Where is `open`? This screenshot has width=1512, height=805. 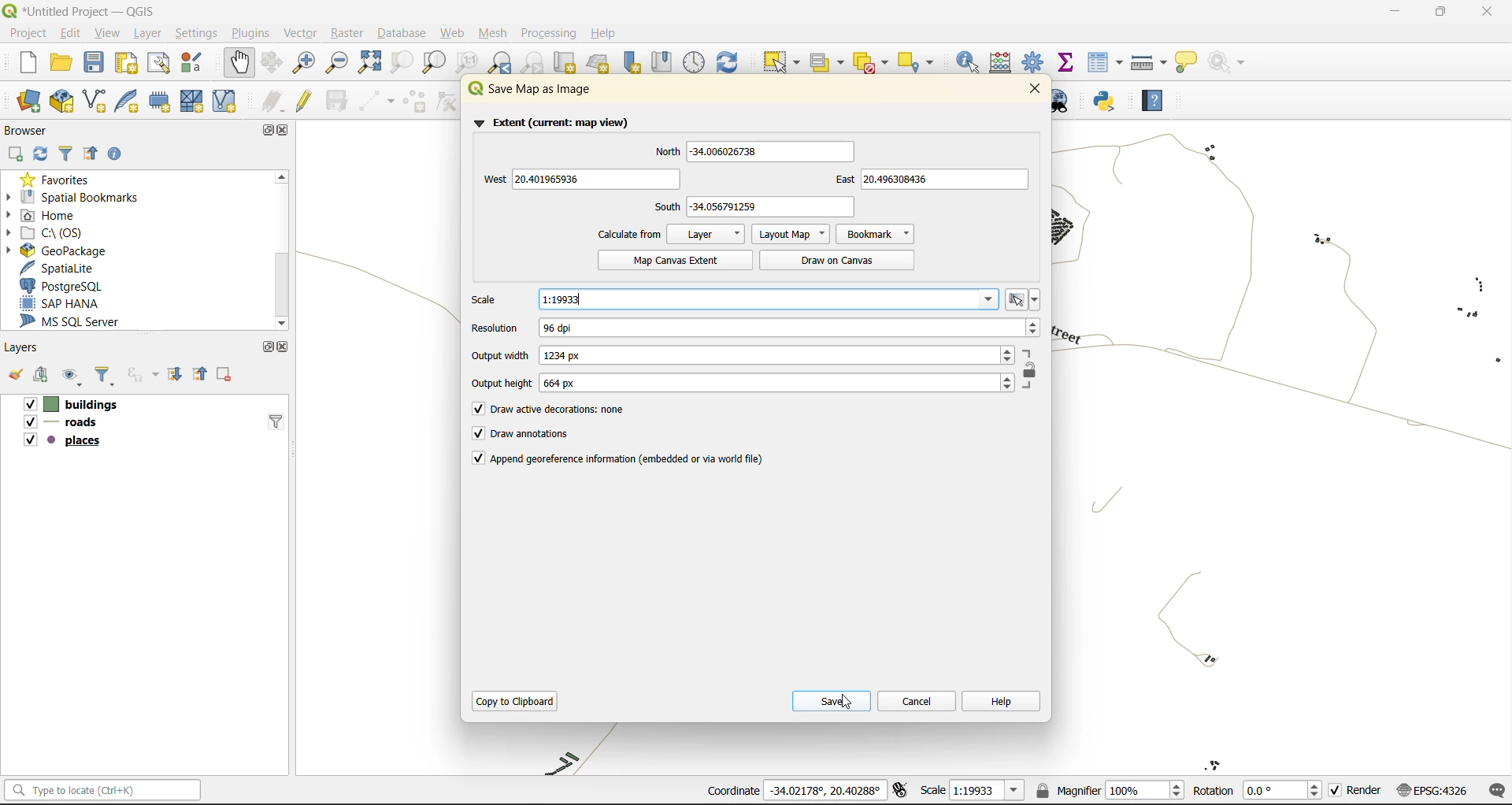
open is located at coordinates (11, 376).